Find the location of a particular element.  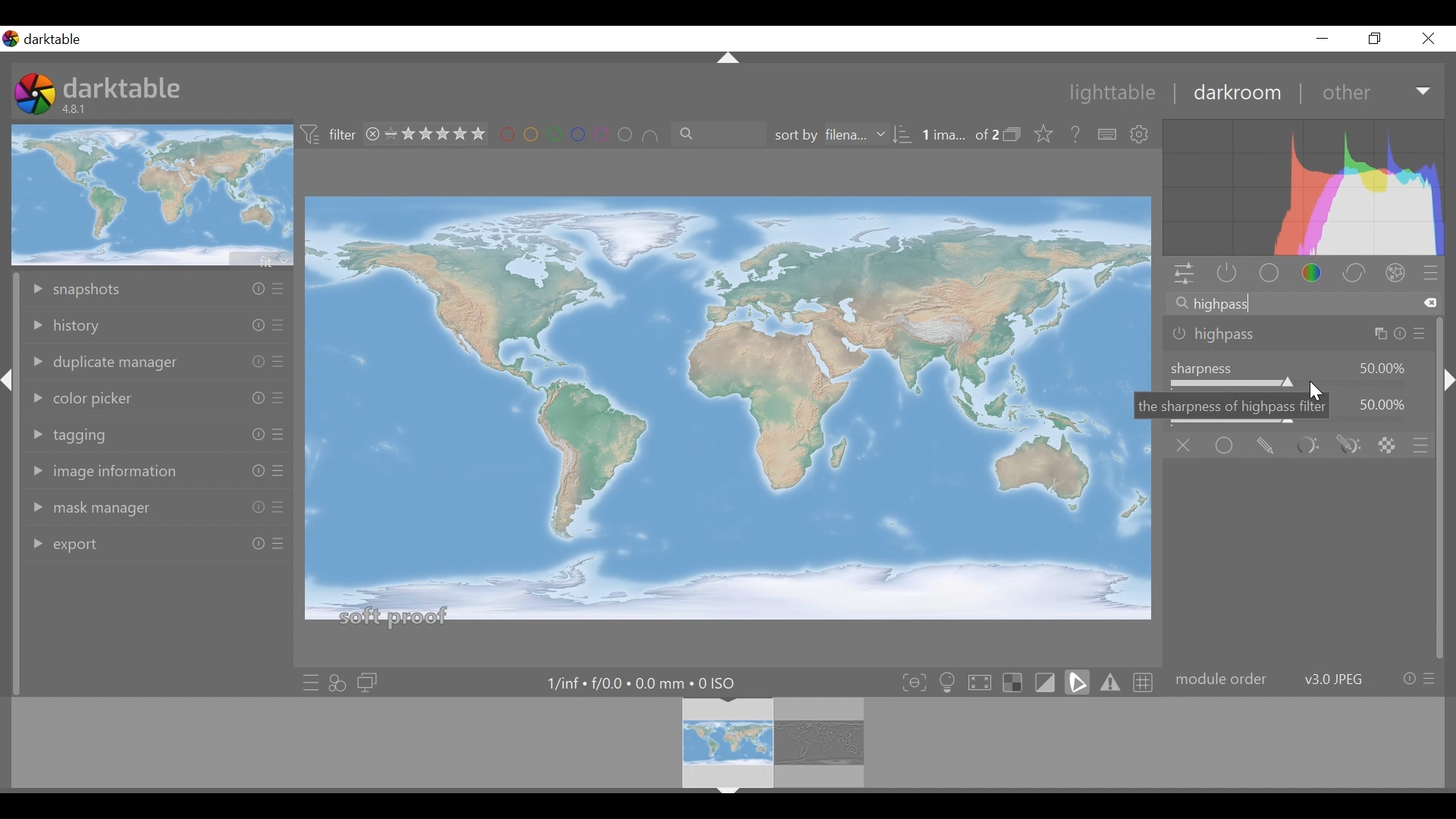

color is located at coordinates (1311, 272).